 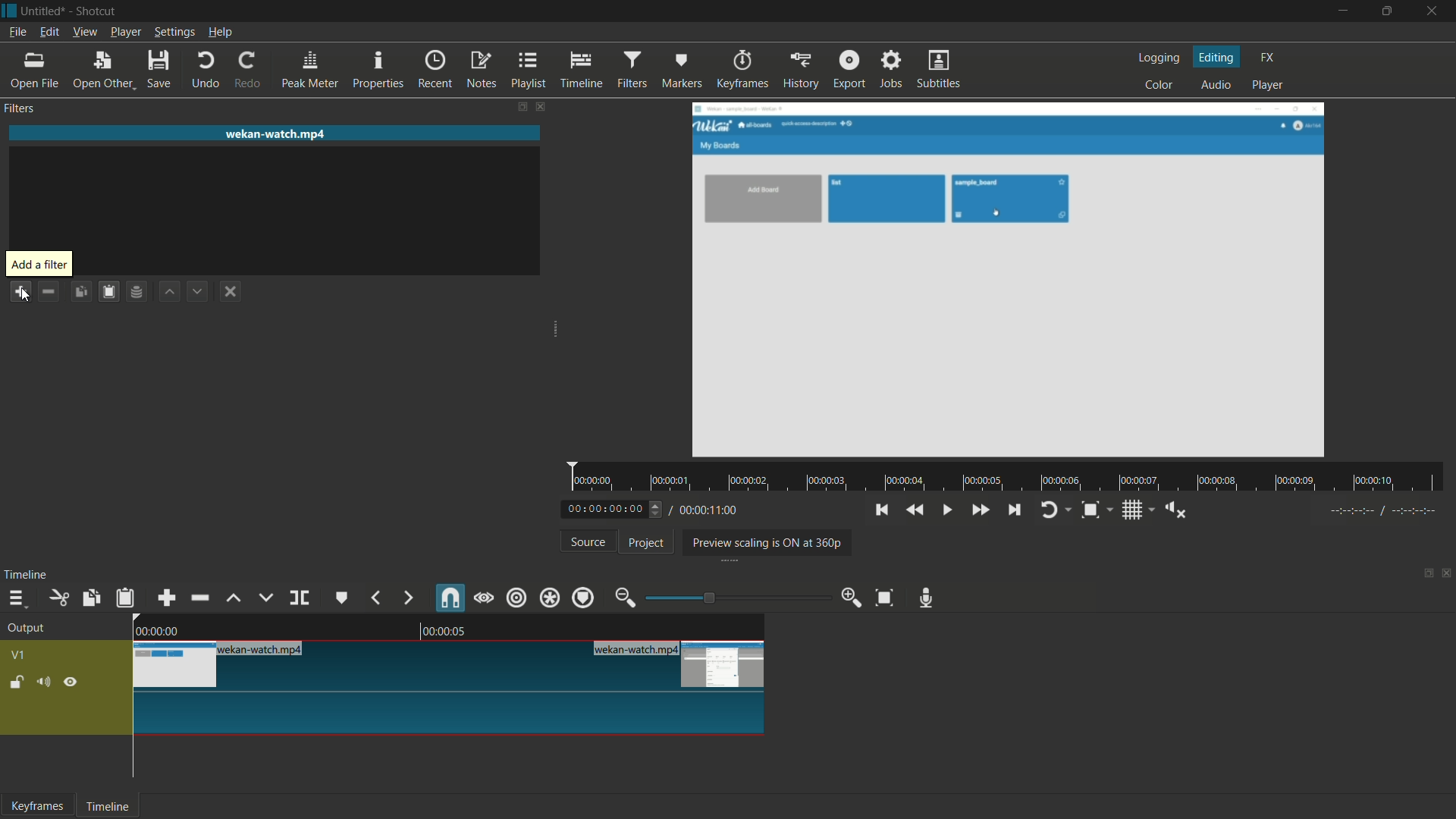 I want to click on audio, so click(x=1216, y=86).